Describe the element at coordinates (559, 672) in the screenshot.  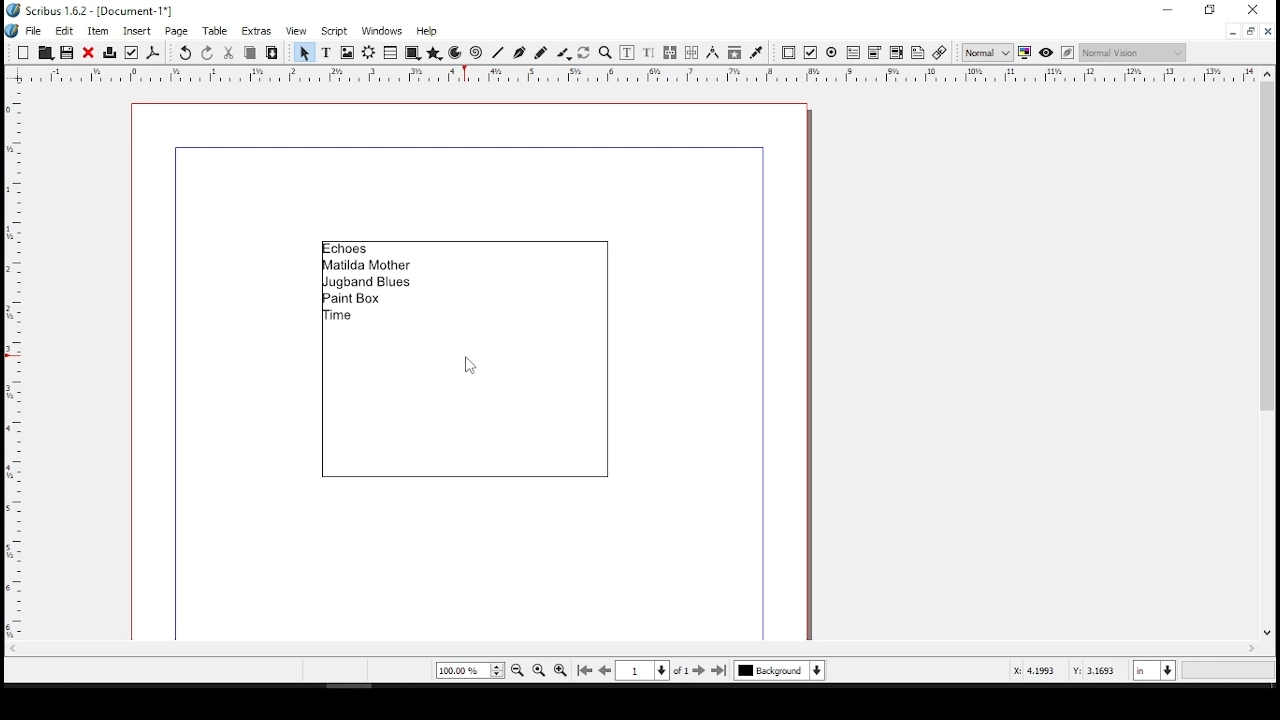
I see `zoom in` at that location.